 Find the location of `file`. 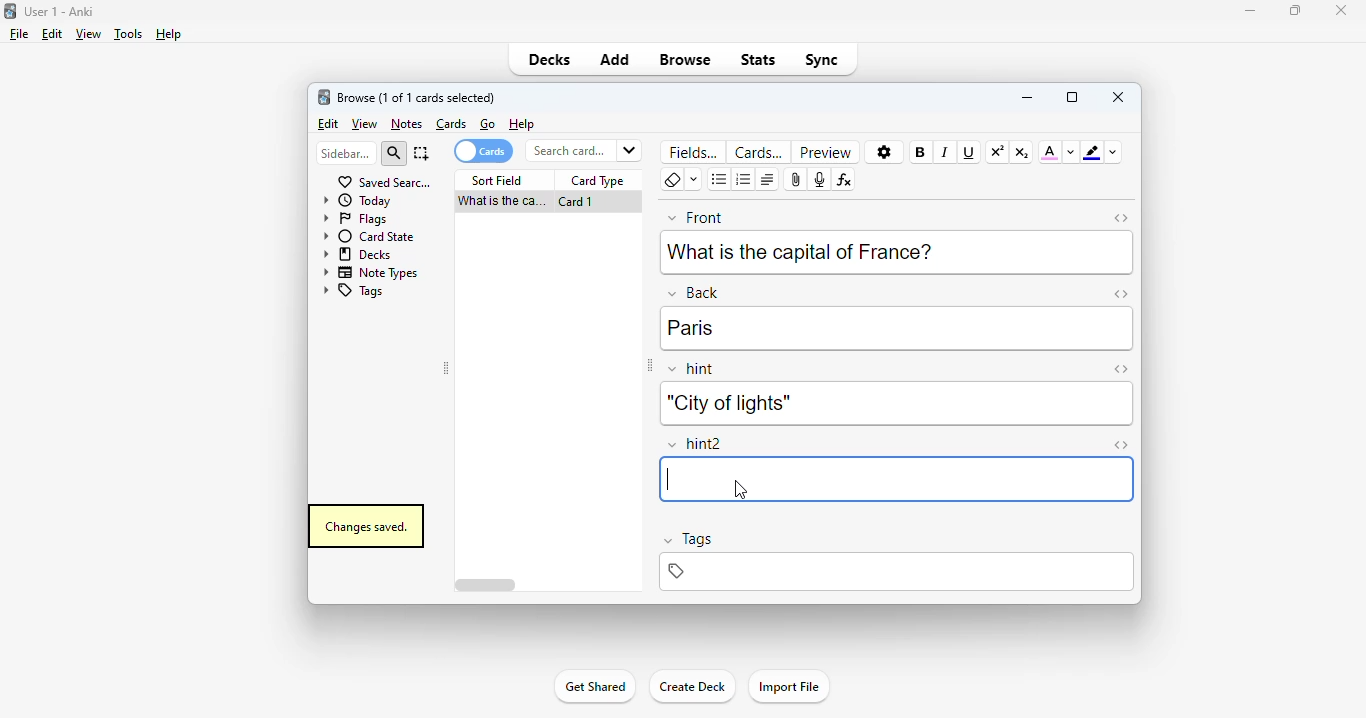

file is located at coordinates (19, 34).